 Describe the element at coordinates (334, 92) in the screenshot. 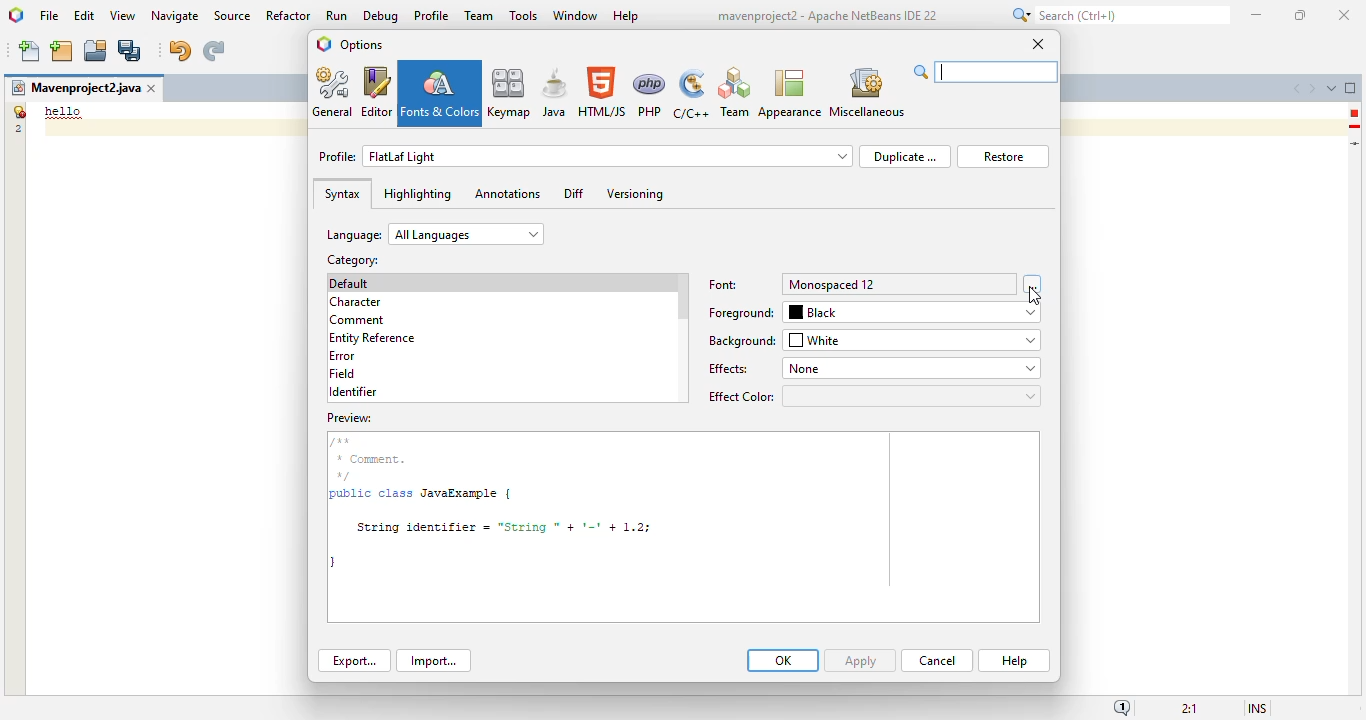

I see `general` at that location.